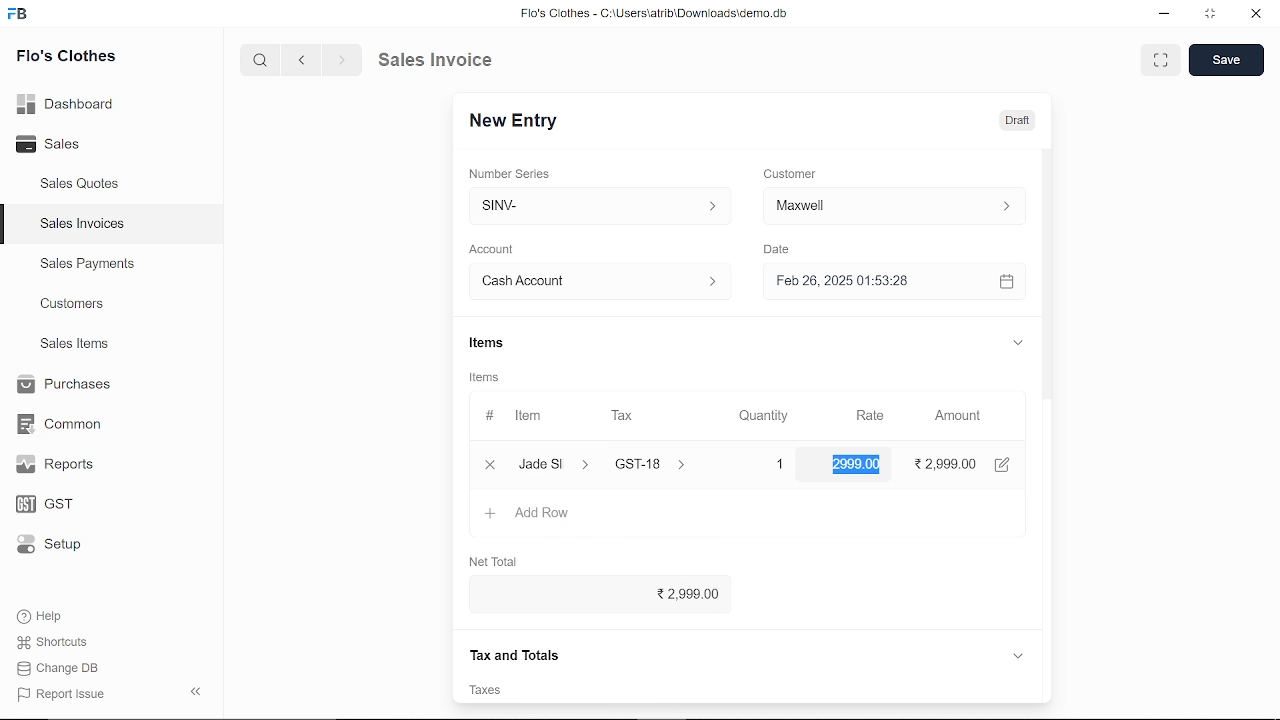 The width and height of the screenshot is (1280, 720). I want to click on Notes, so click(493, 690).